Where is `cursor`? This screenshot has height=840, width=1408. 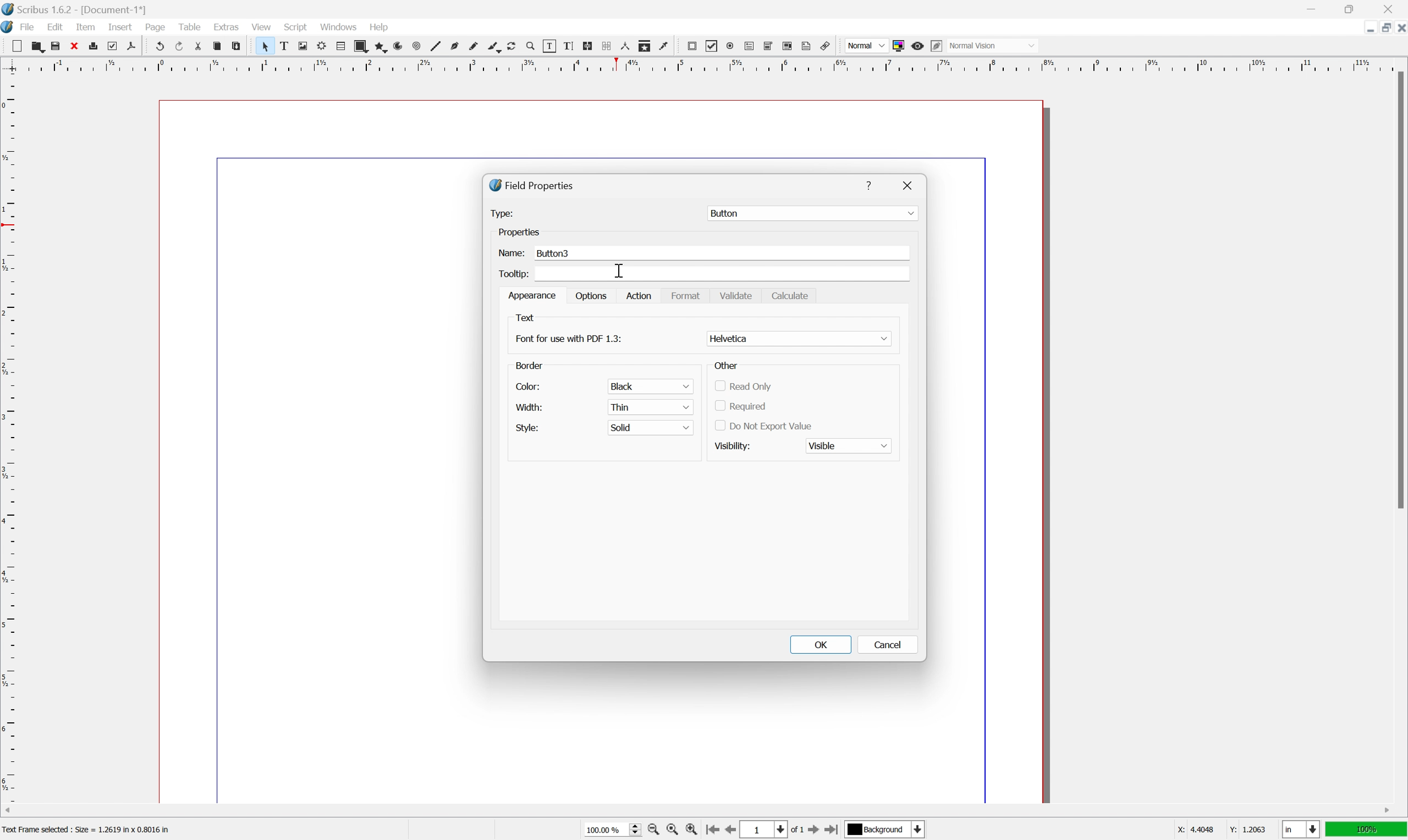 cursor is located at coordinates (619, 271).